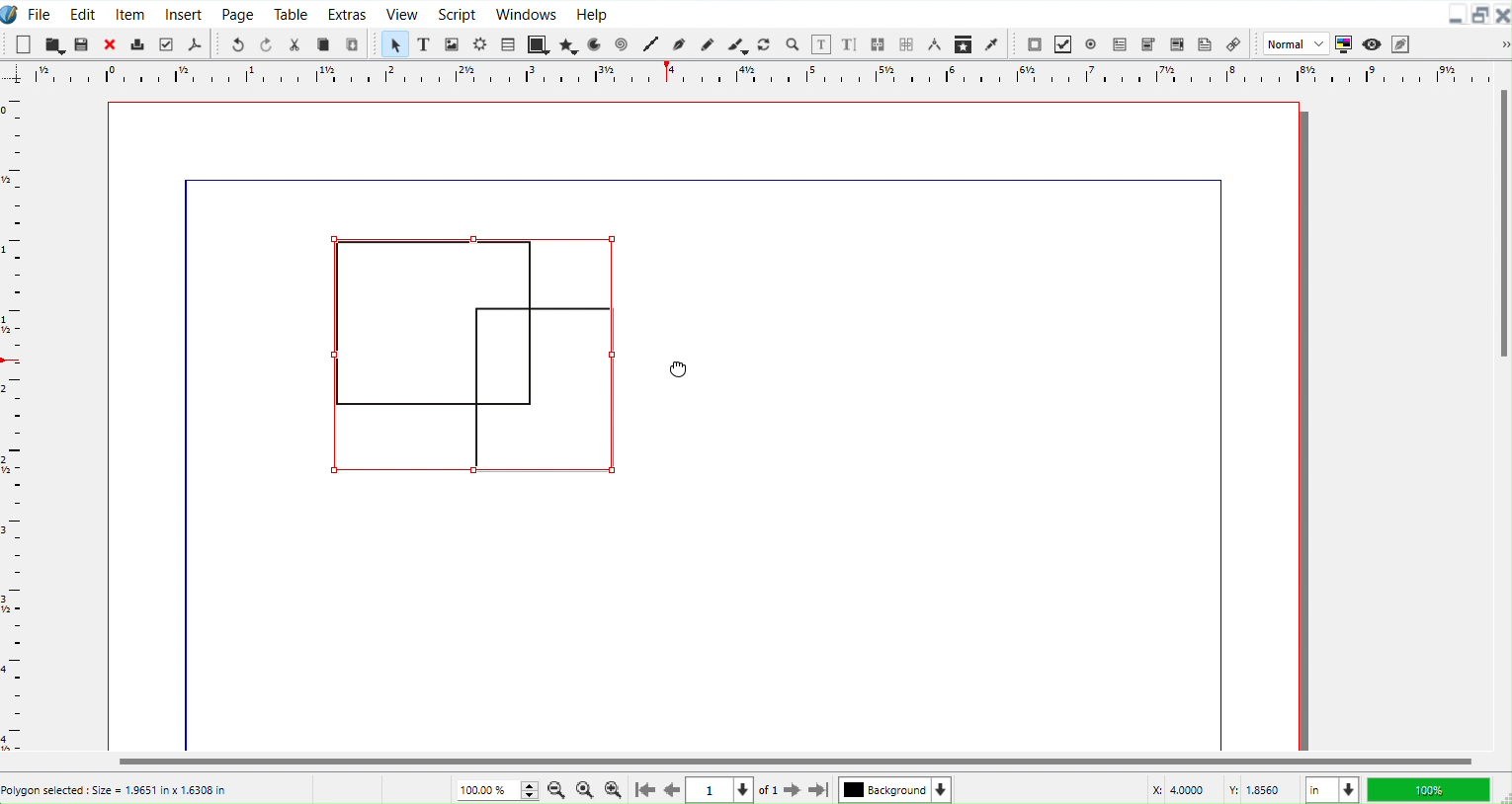  What do you see at coordinates (706, 43) in the screenshot?
I see `Freehand line` at bounding box center [706, 43].